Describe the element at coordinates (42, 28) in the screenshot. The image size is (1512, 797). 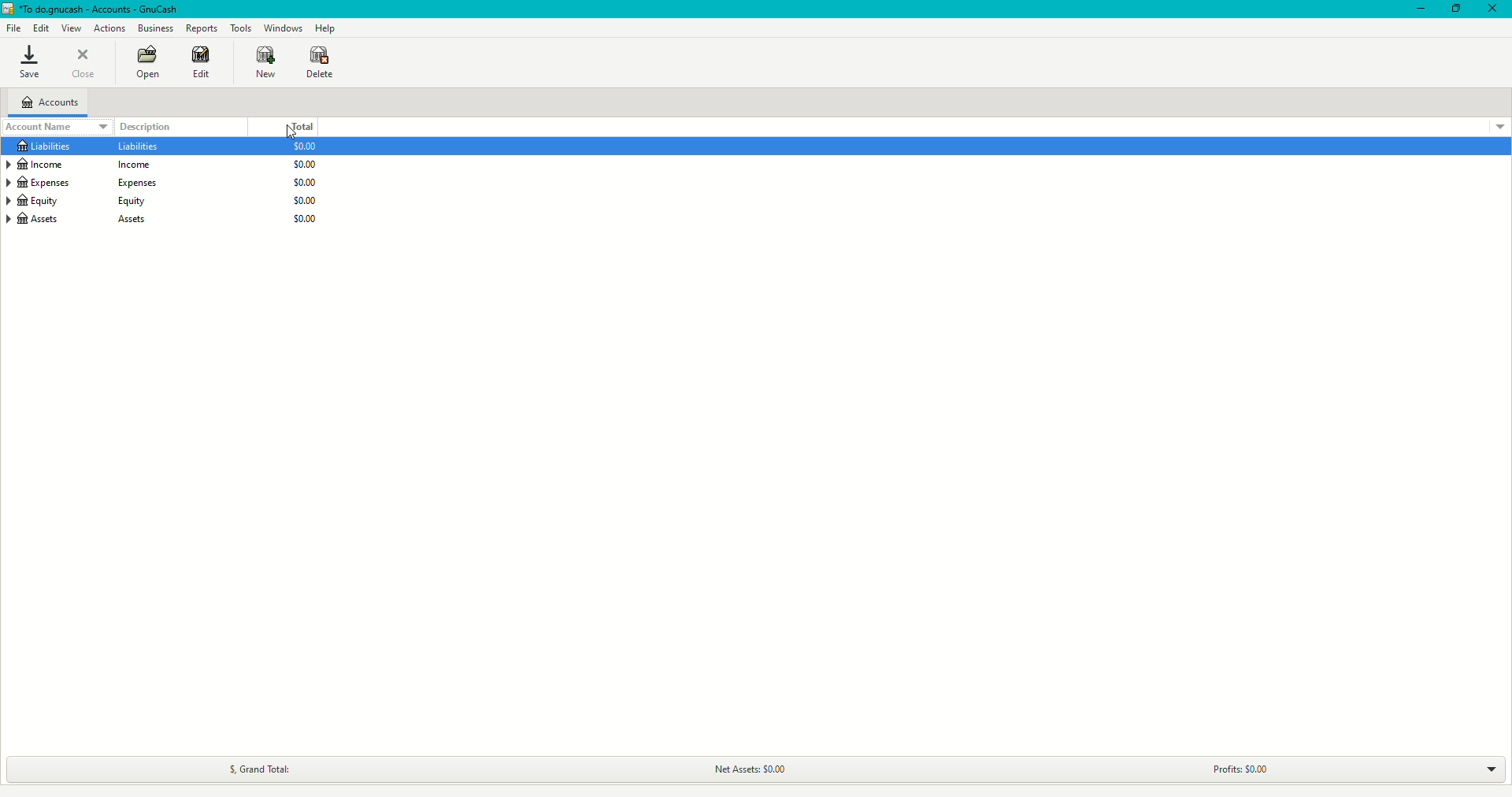
I see `Edit` at that location.